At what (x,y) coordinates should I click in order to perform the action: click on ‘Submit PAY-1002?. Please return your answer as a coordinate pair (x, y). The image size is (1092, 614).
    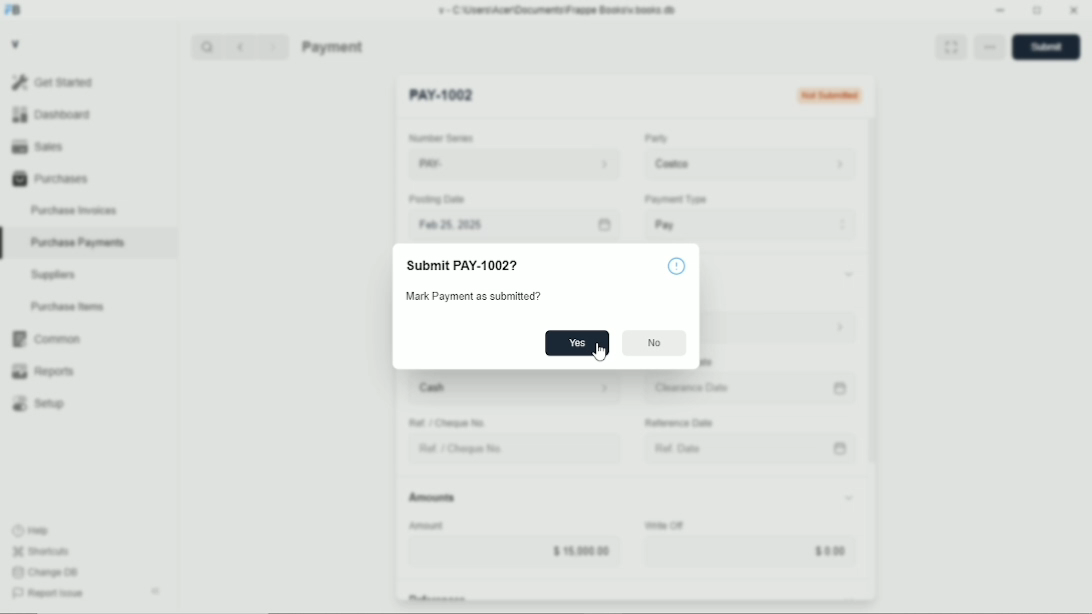
    Looking at the image, I should click on (460, 267).